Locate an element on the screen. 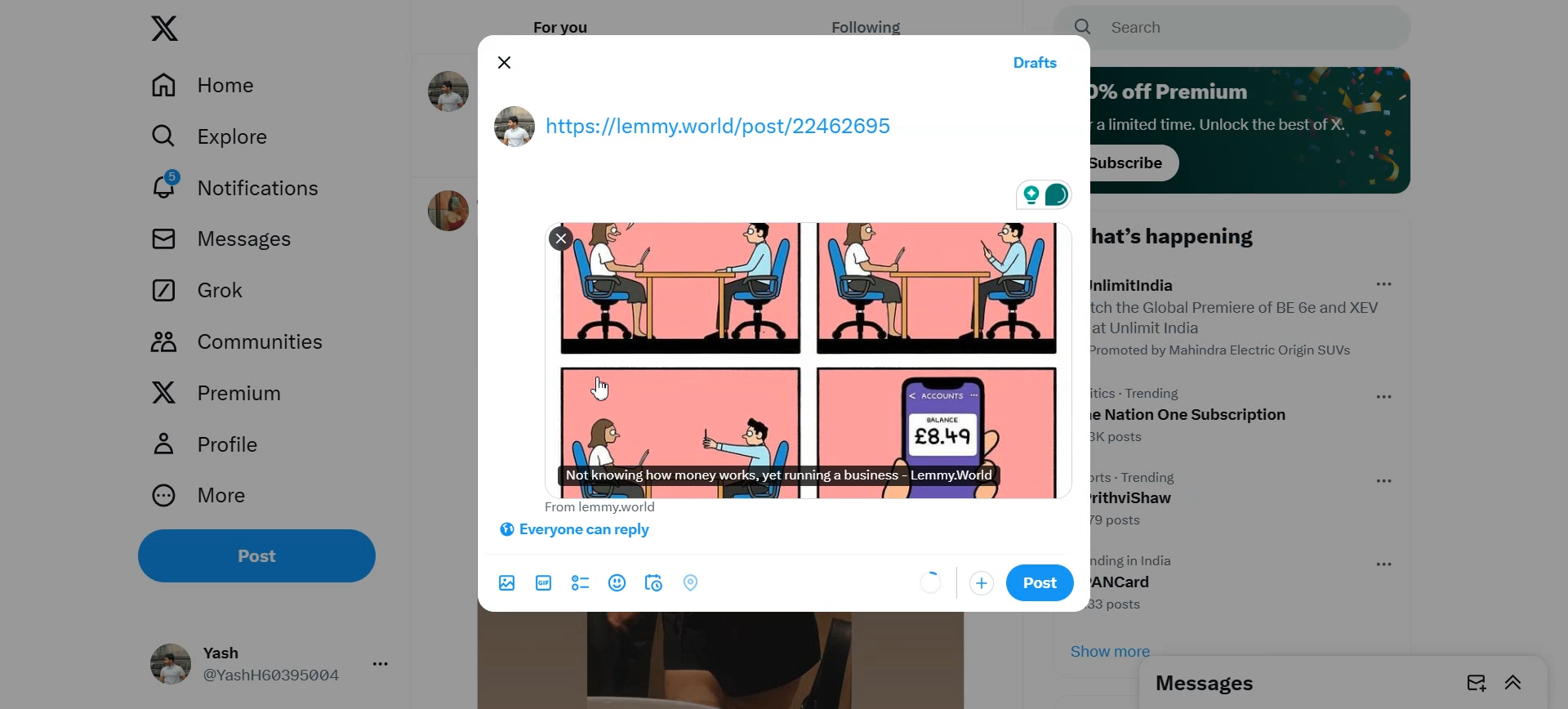 Image resolution: width=1568 pixels, height=709 pixels. handle  is located at coordinates (274, 663).